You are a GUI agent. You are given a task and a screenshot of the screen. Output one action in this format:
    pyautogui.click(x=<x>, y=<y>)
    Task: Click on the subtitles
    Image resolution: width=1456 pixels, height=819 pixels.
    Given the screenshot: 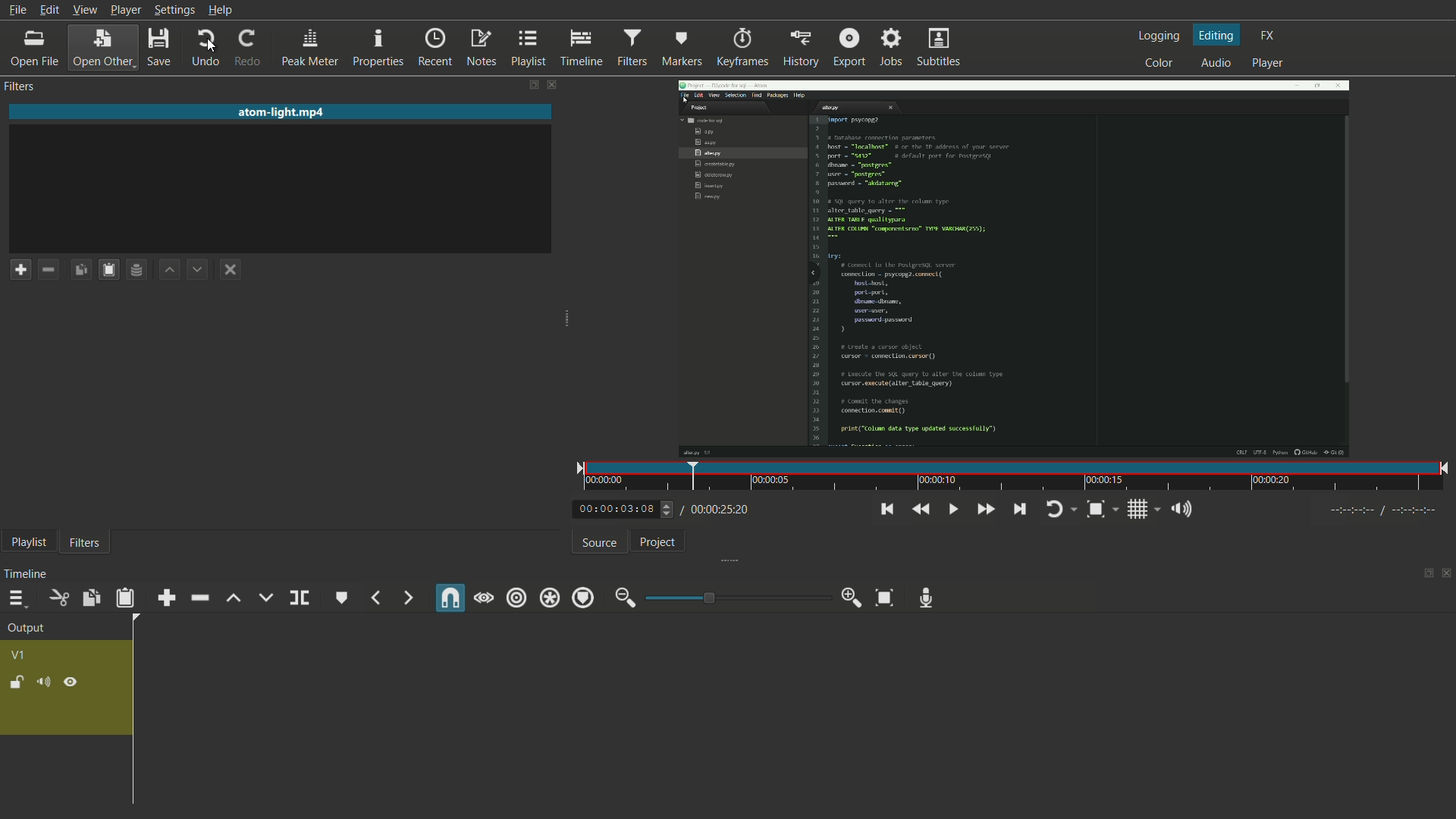 What is the action you would take?
    pyautogui.click(x=937, y=50)
    